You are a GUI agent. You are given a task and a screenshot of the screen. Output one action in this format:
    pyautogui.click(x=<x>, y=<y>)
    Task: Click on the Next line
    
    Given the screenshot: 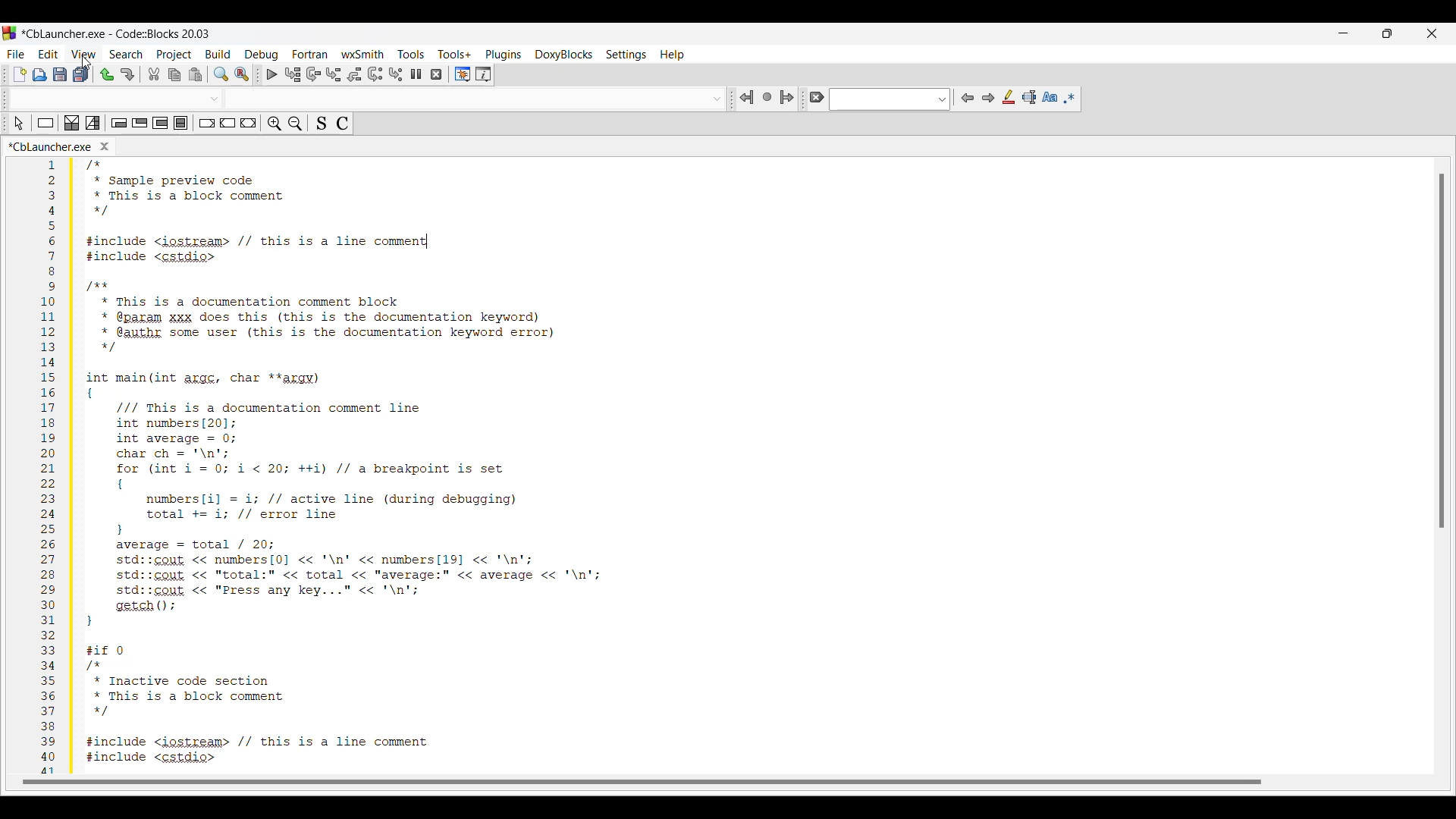 What is the action you would take?
    pyautogui.click(x=313, y=74)
    